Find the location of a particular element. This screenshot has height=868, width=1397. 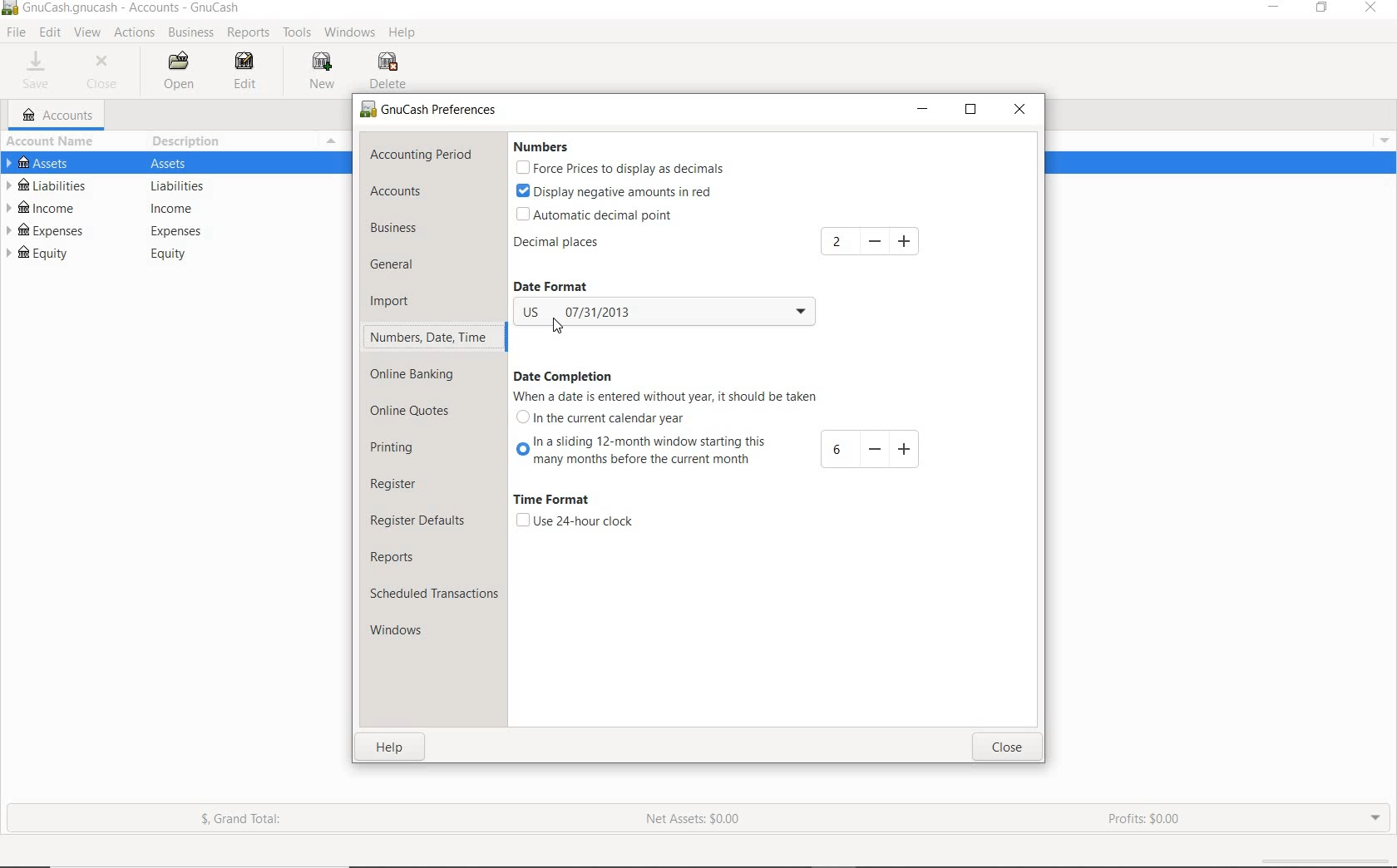

ACCOUNT NAME is located at coordinates (53, 142).